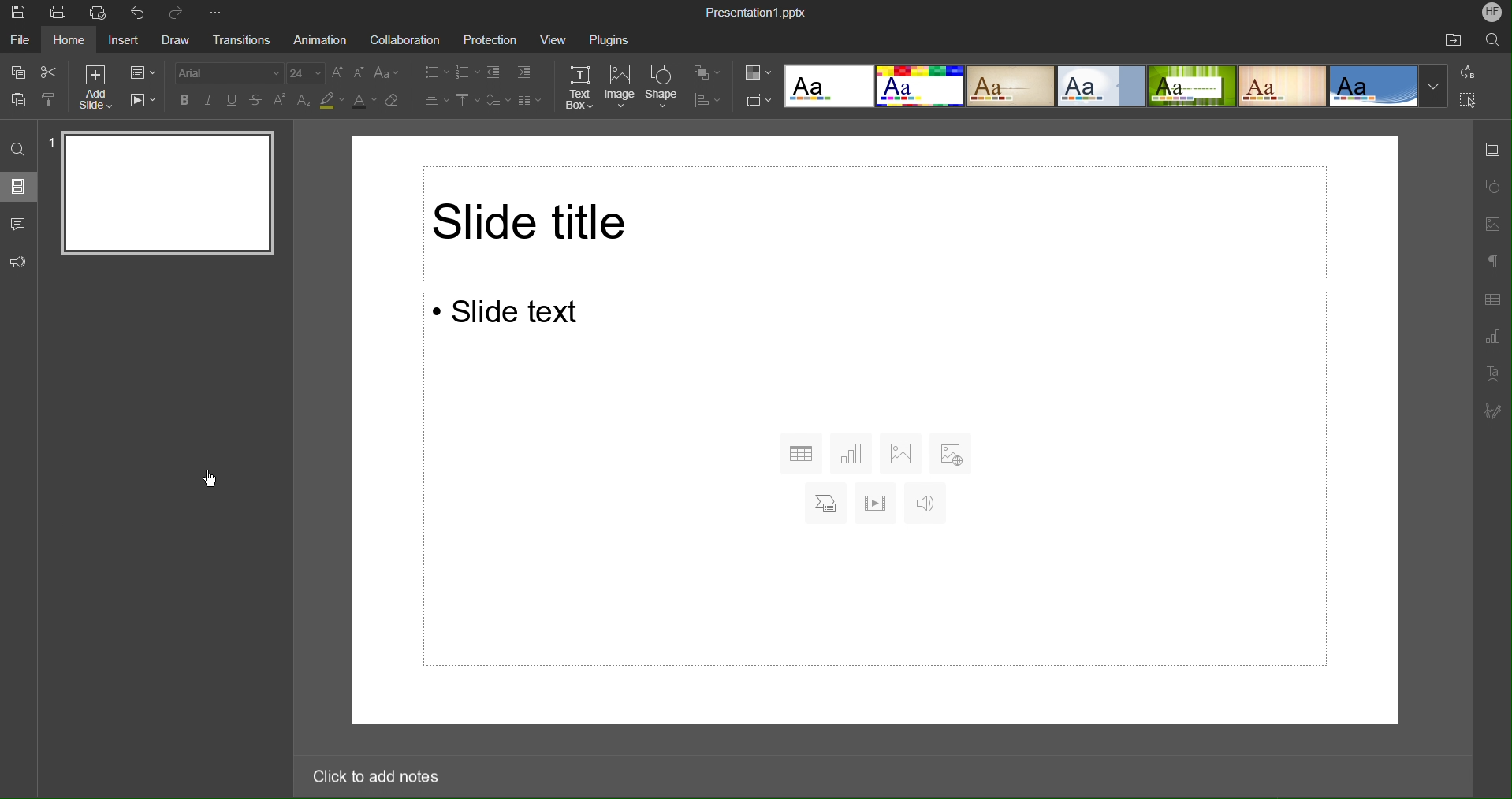  What do you see at coordinates (51, 100) in the screenshot?
I see `clone formatting` at bounding box center [51, 100].